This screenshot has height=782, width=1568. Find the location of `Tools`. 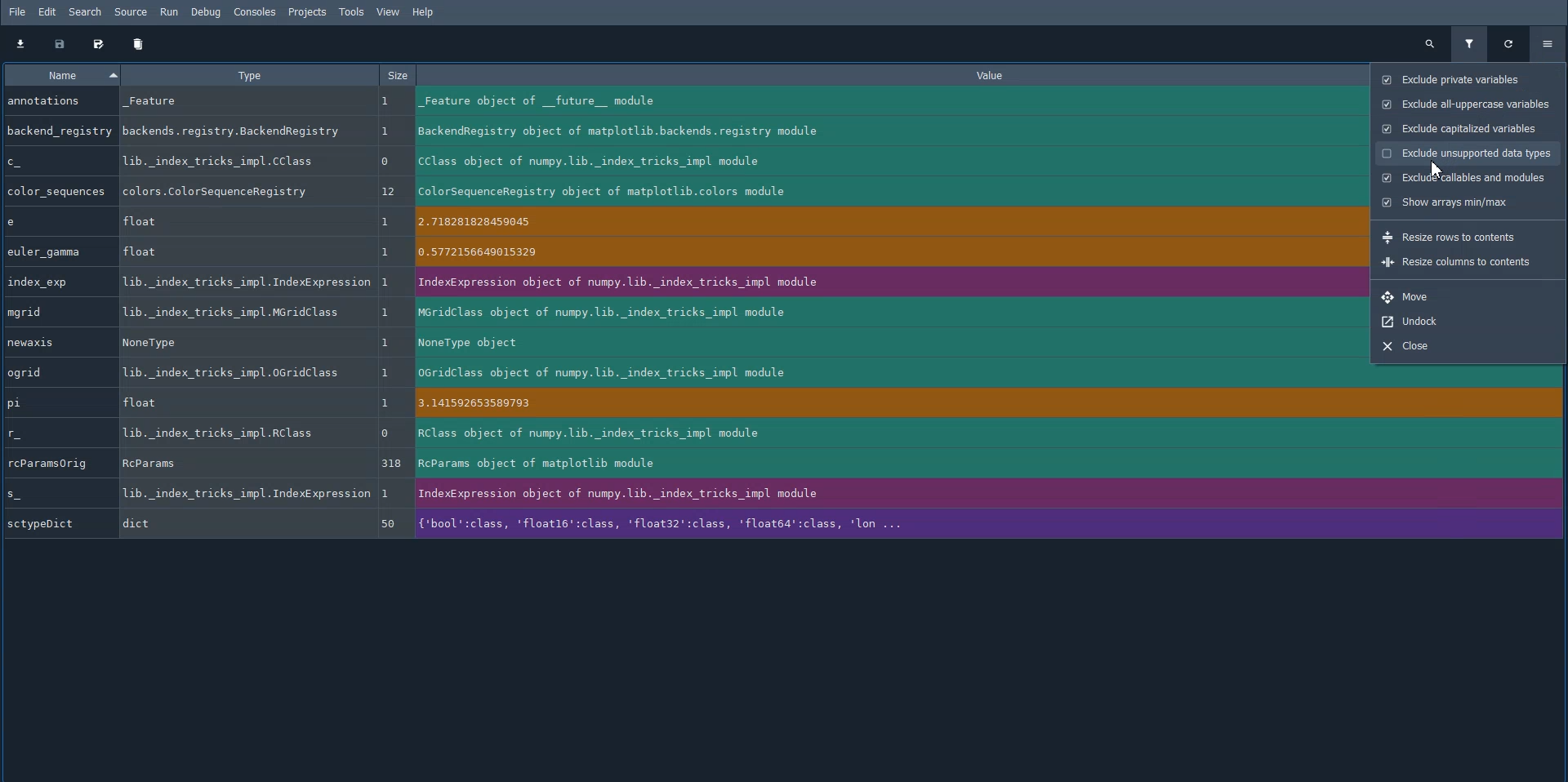

Tools is located at coordinates (351, 11).